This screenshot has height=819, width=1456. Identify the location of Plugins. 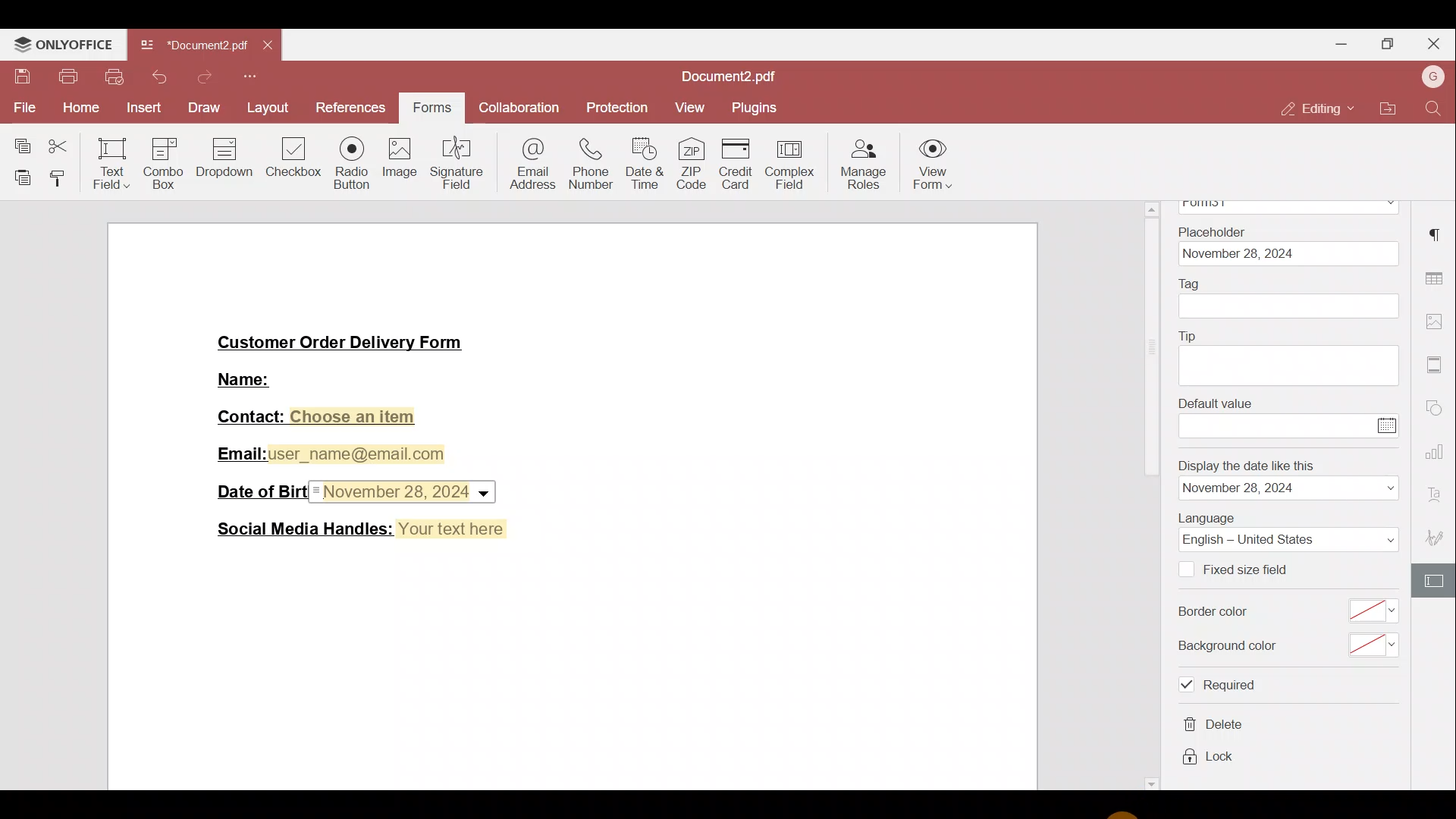
(761, 107).